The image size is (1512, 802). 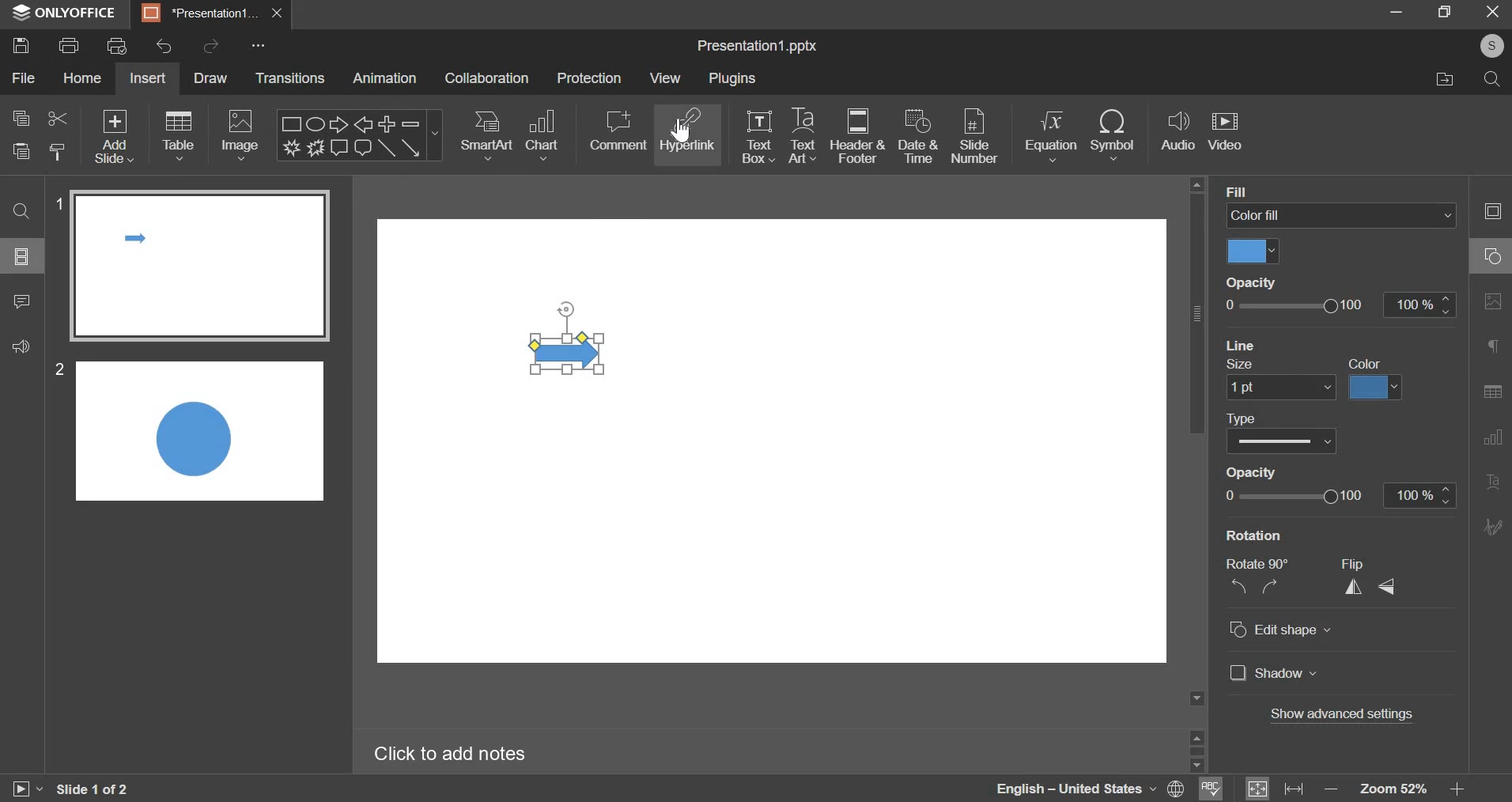 I want to click on audio, so click(x=1180, y=136).